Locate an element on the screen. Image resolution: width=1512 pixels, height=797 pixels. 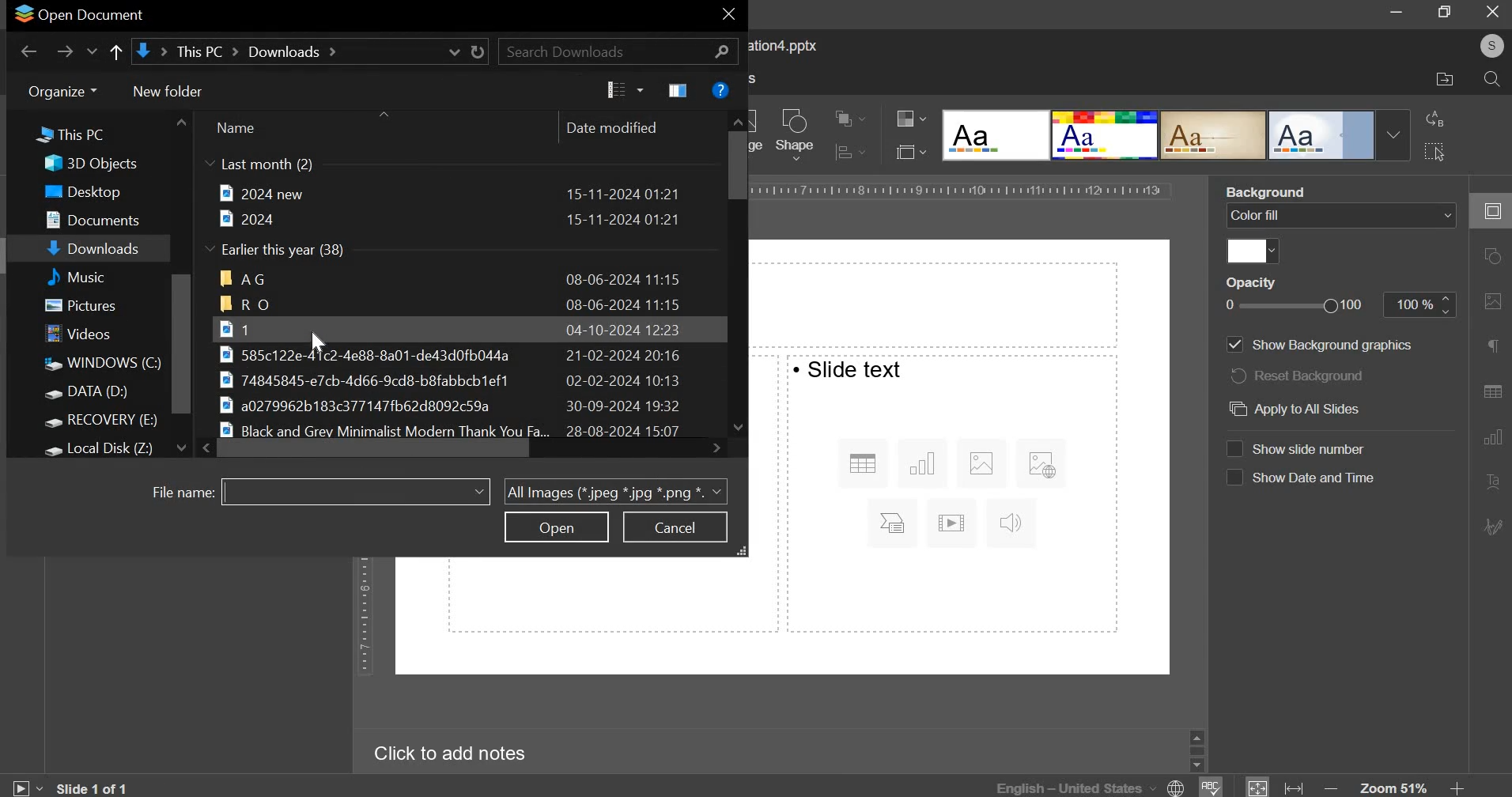
fit to width is located at coordinates (1295, 788).